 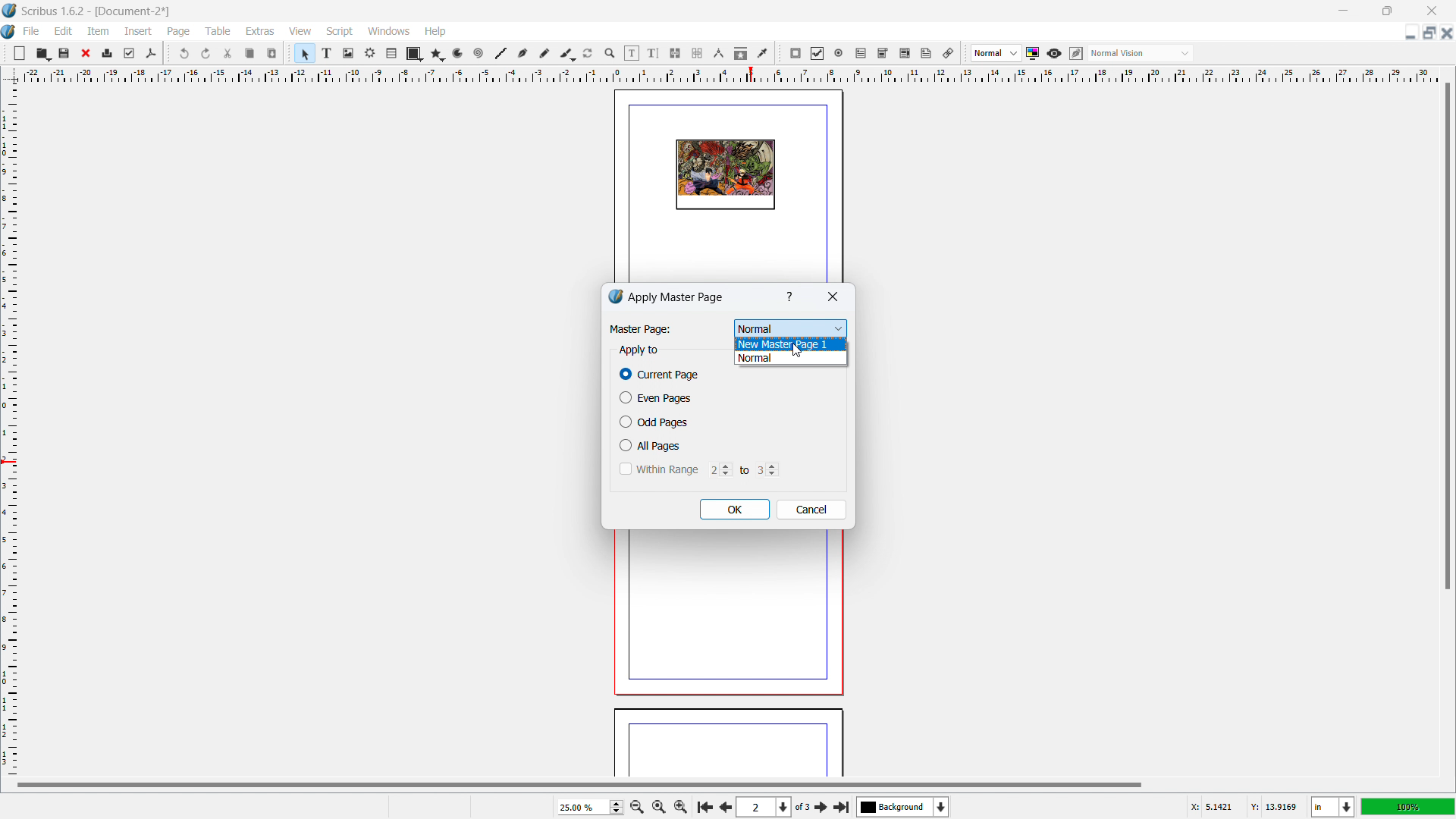 What do you see at coordinates (436, 32) in the screenshot?
I see `help` at bounding box center [436, 32].